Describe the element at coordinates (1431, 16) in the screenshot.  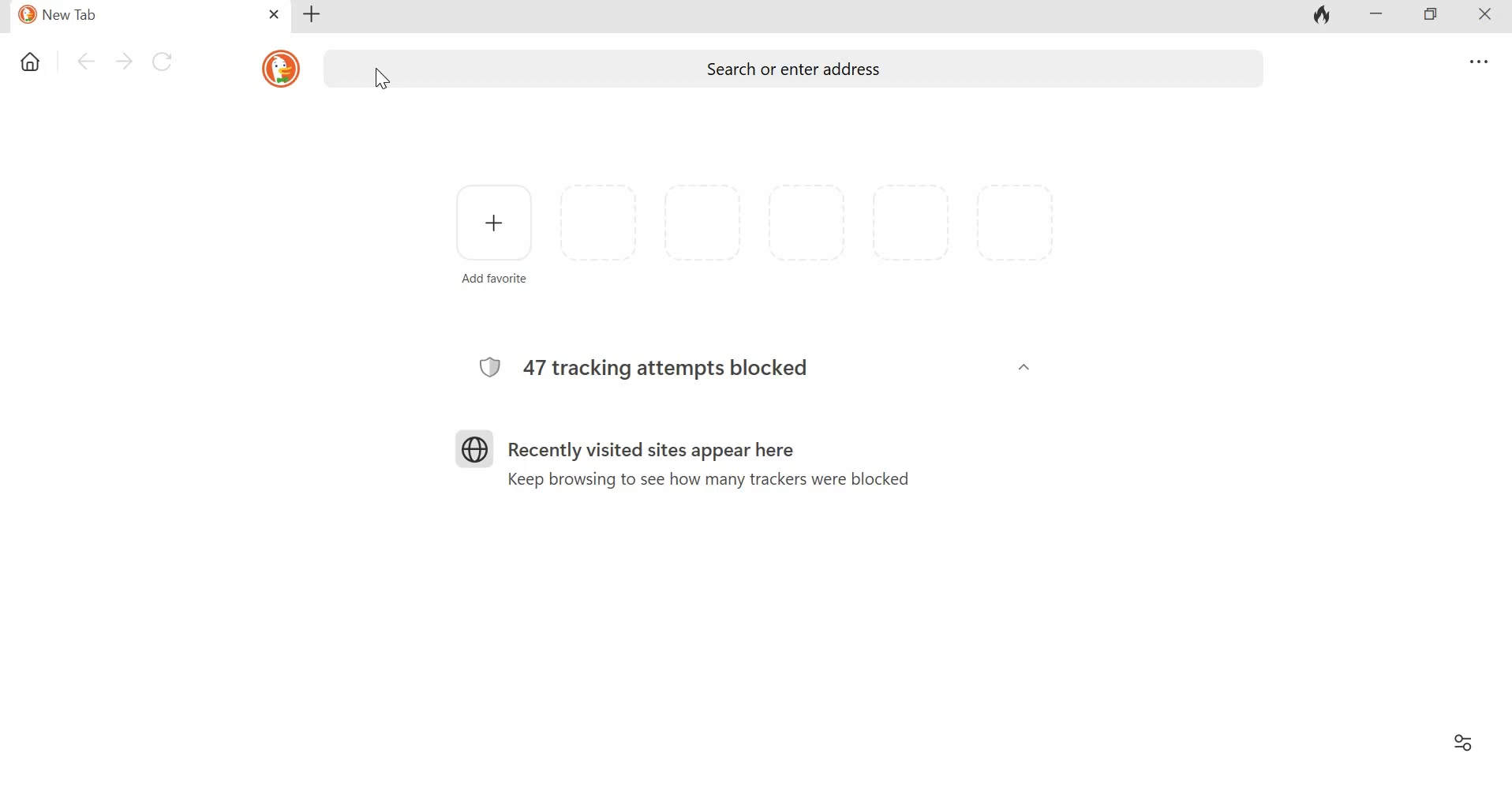
I see `Maximize` at that location.